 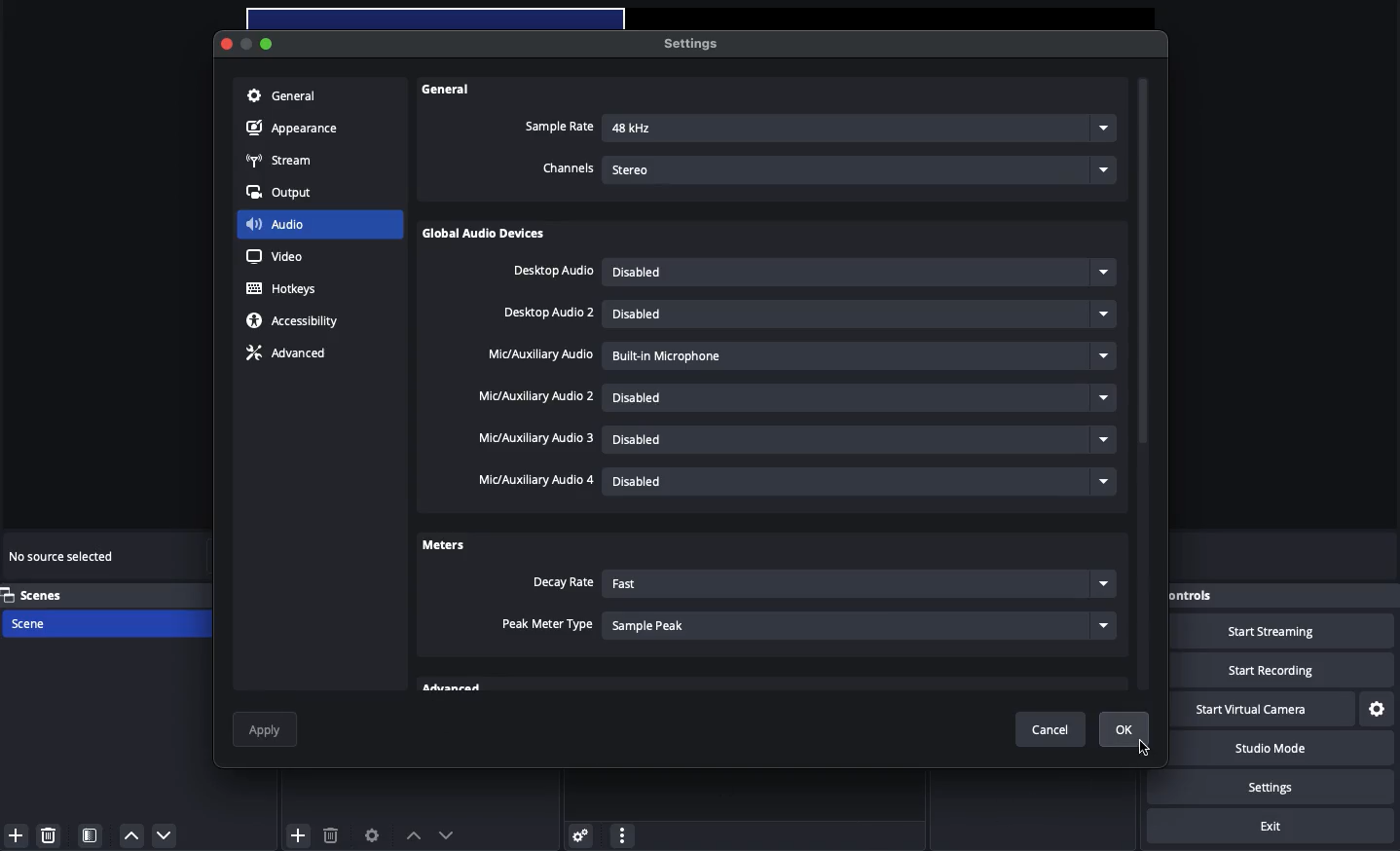 I want to click on General, so click(x=449, y=90).